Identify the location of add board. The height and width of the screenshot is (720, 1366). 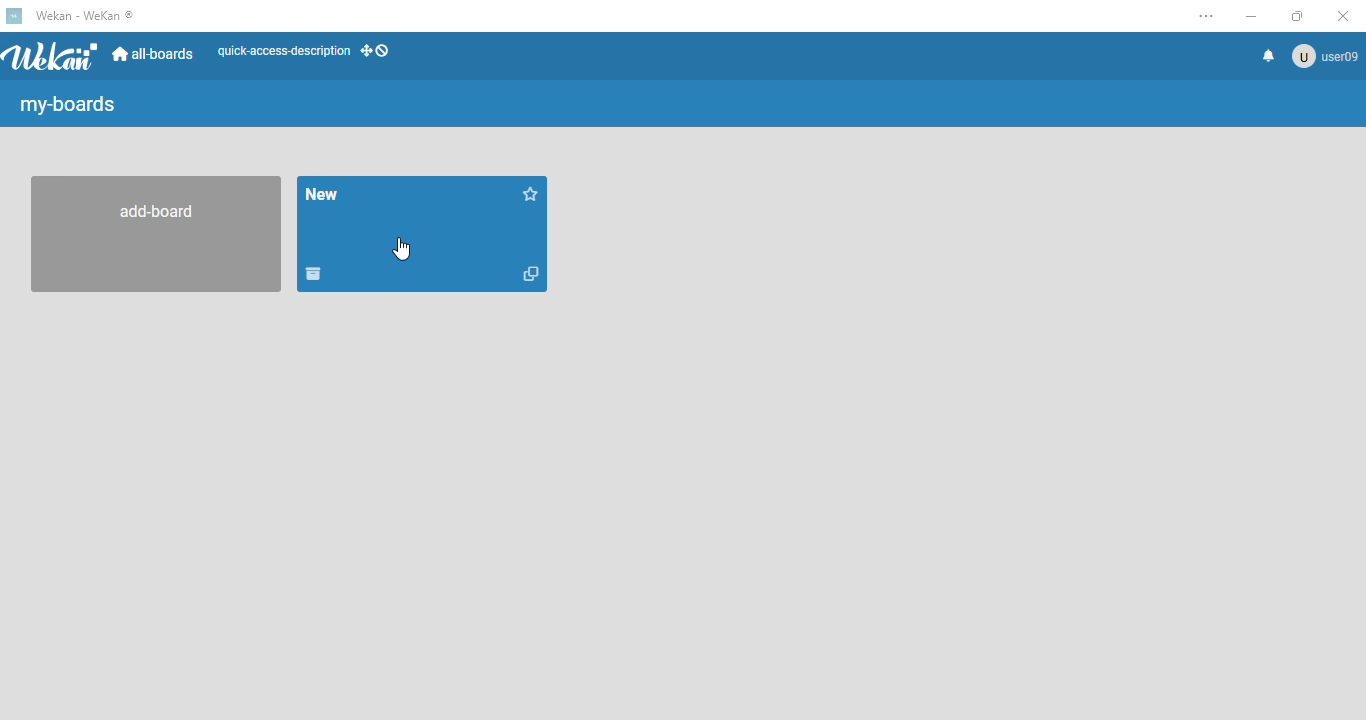
(151, 235).